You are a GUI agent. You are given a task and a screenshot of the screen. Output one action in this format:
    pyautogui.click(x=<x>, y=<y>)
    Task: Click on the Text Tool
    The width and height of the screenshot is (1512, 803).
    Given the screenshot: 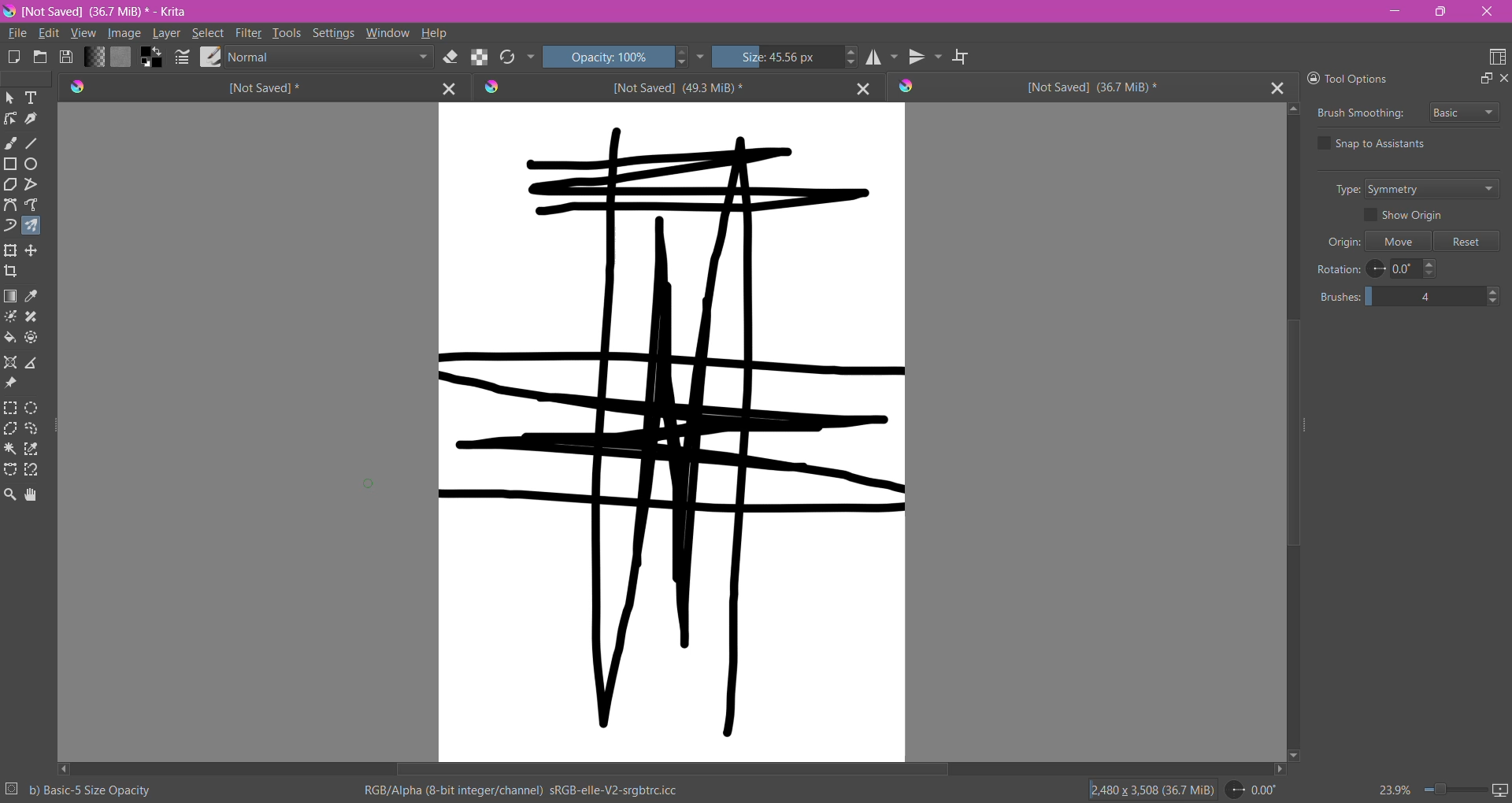 What is the action you would take?
    pyautogui.click(x=31, y=98)
    